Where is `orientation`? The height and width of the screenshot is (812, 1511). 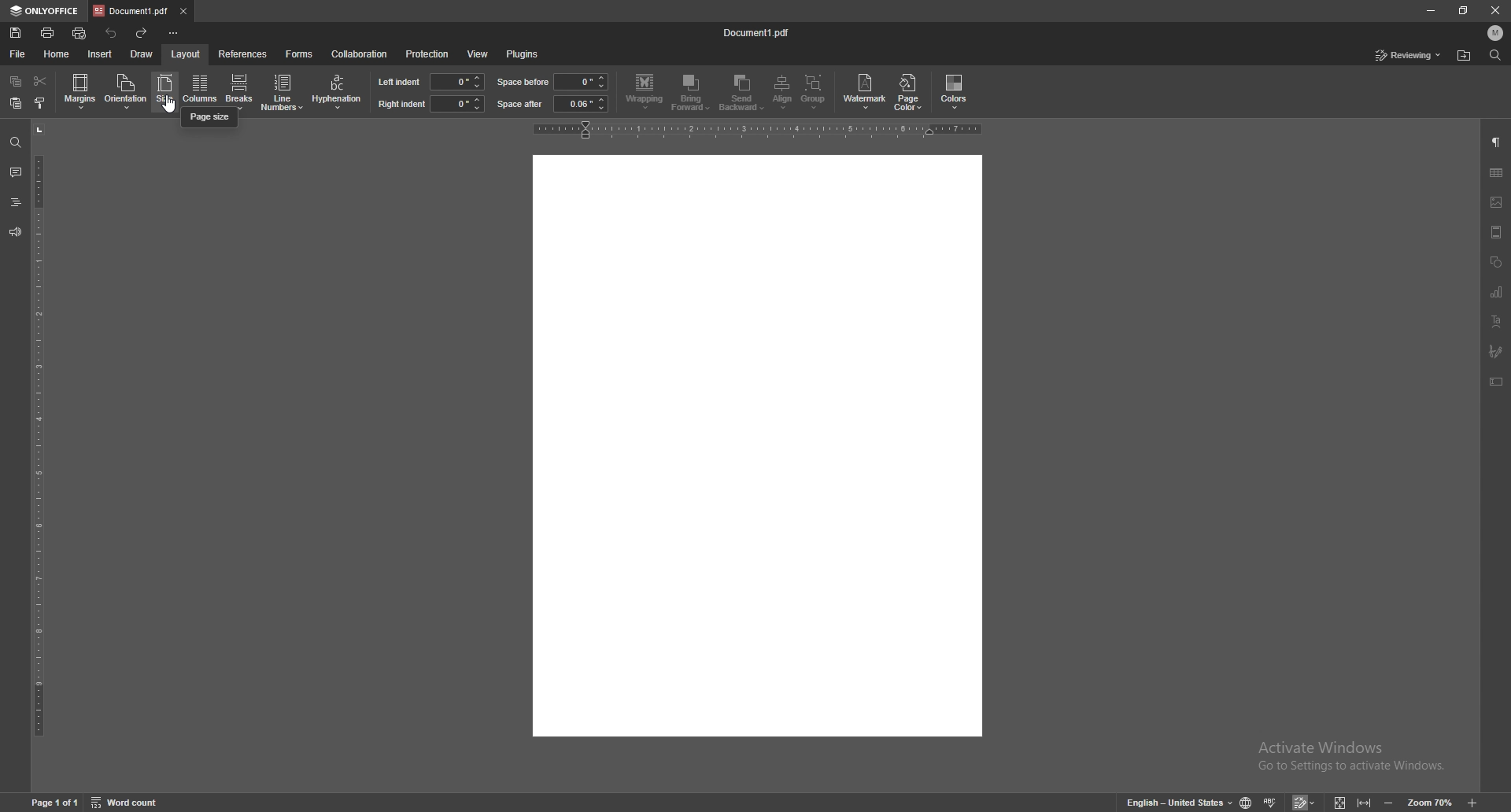 orientation is located at coordinates (126, 90).